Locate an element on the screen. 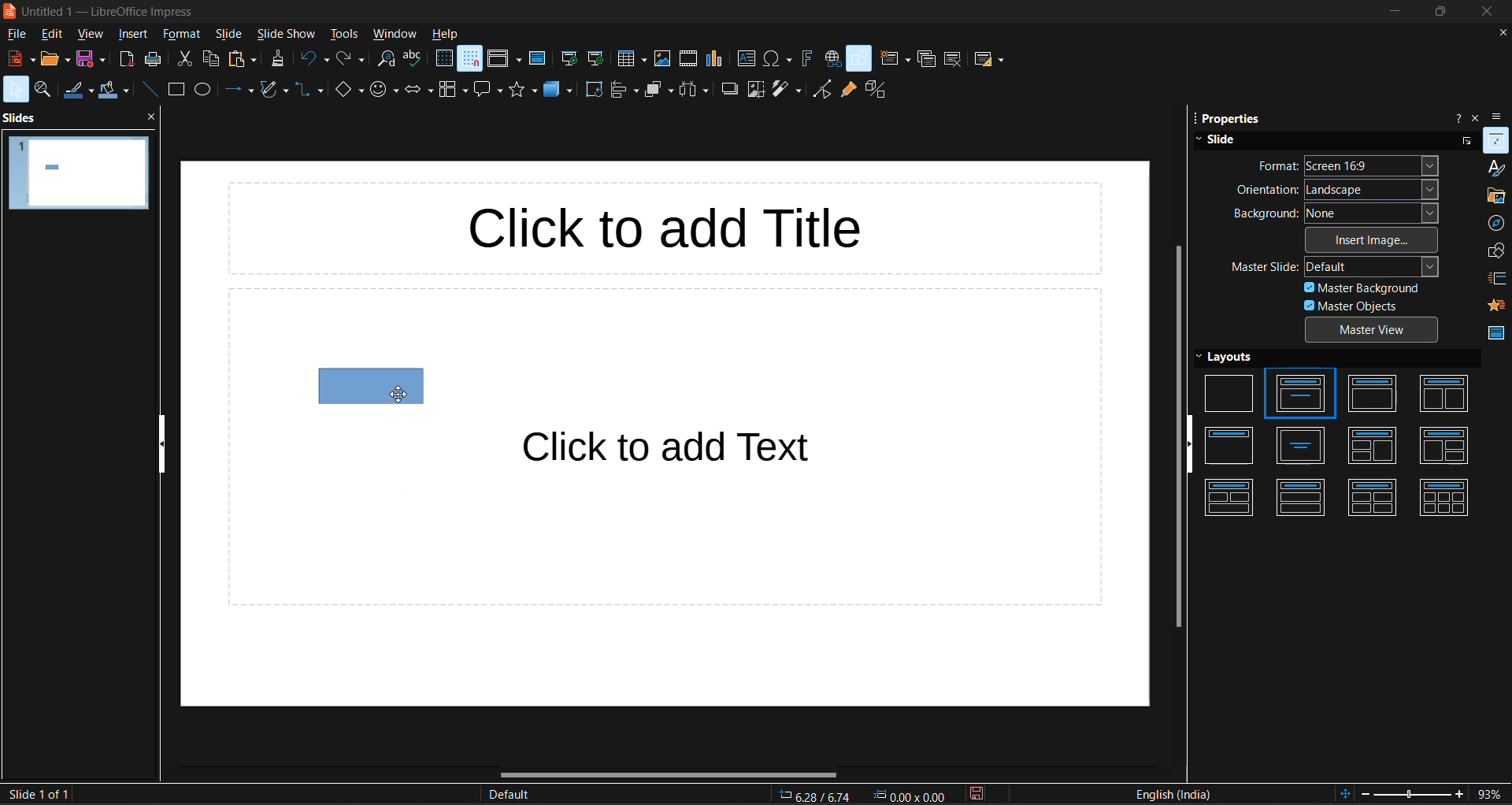 Image resolution: width=1512 pixels, height=805 pixels. slide transition is located at coordinates (1497, 279).